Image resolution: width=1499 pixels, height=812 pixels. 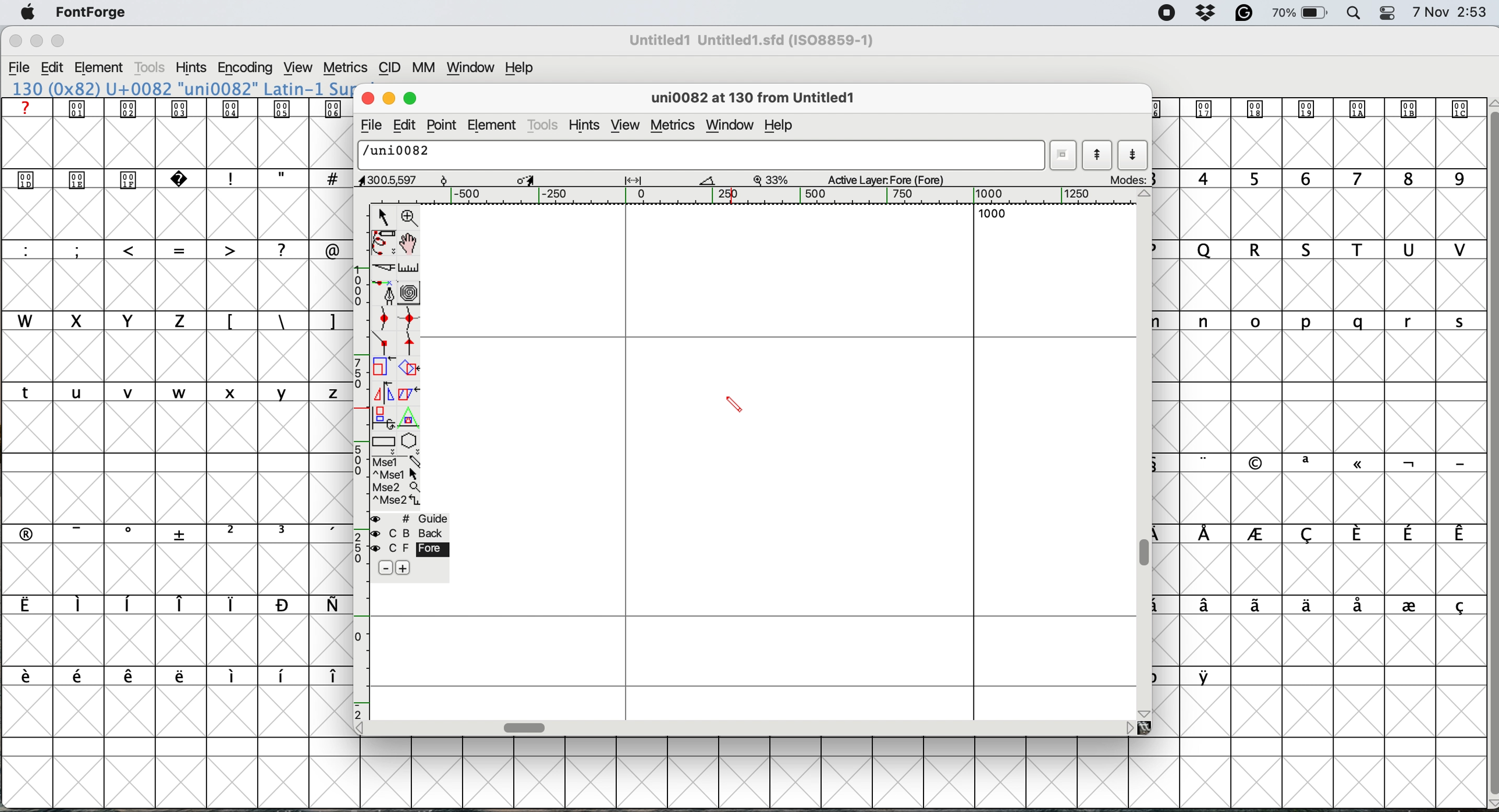 What do you see at coordinates (409, 267) in the screenshot?
I see `measure distance` at bounding box center [409, 267].